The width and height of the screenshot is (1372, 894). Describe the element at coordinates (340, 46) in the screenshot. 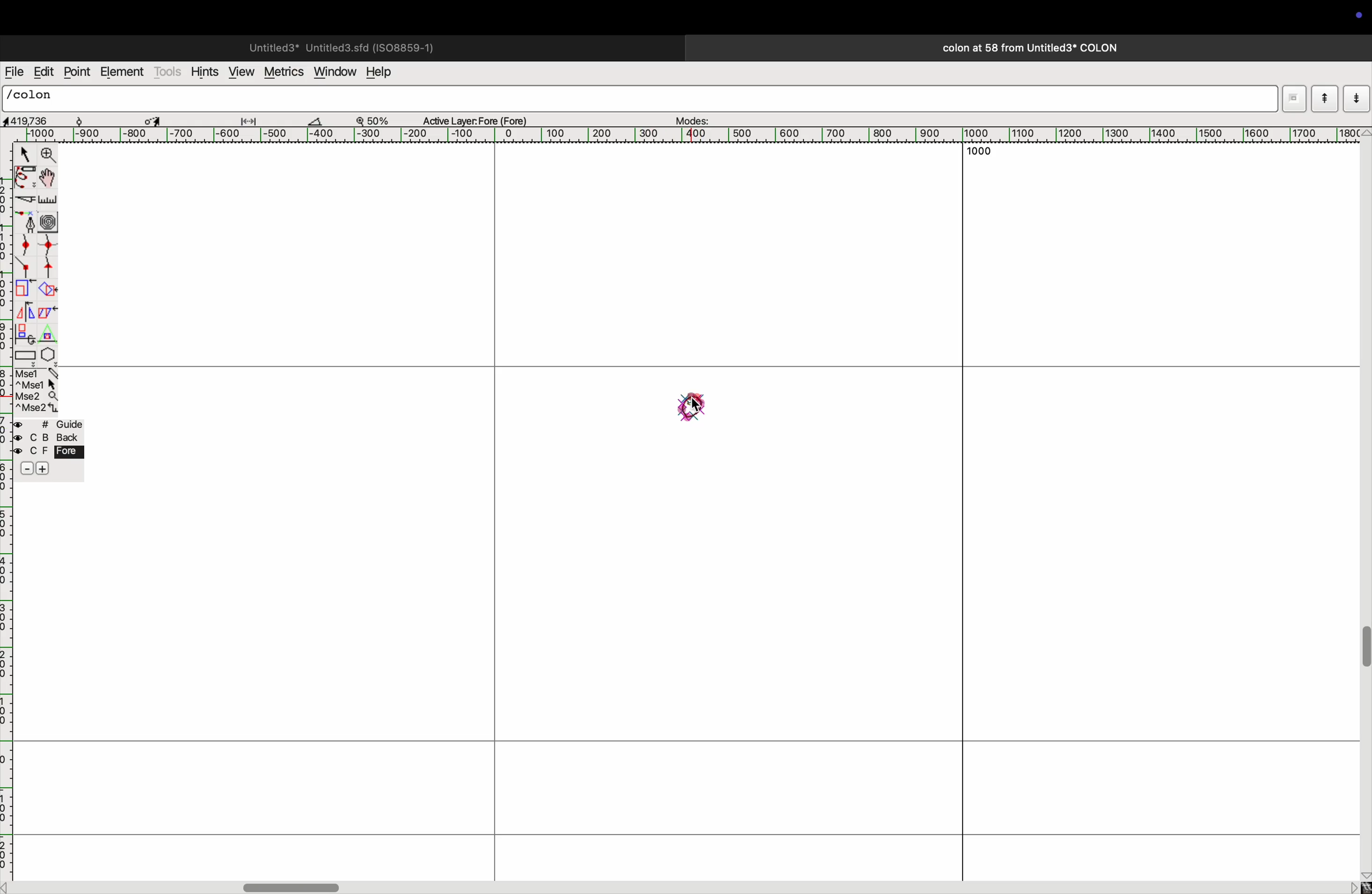

I see `untitled page` at that location.